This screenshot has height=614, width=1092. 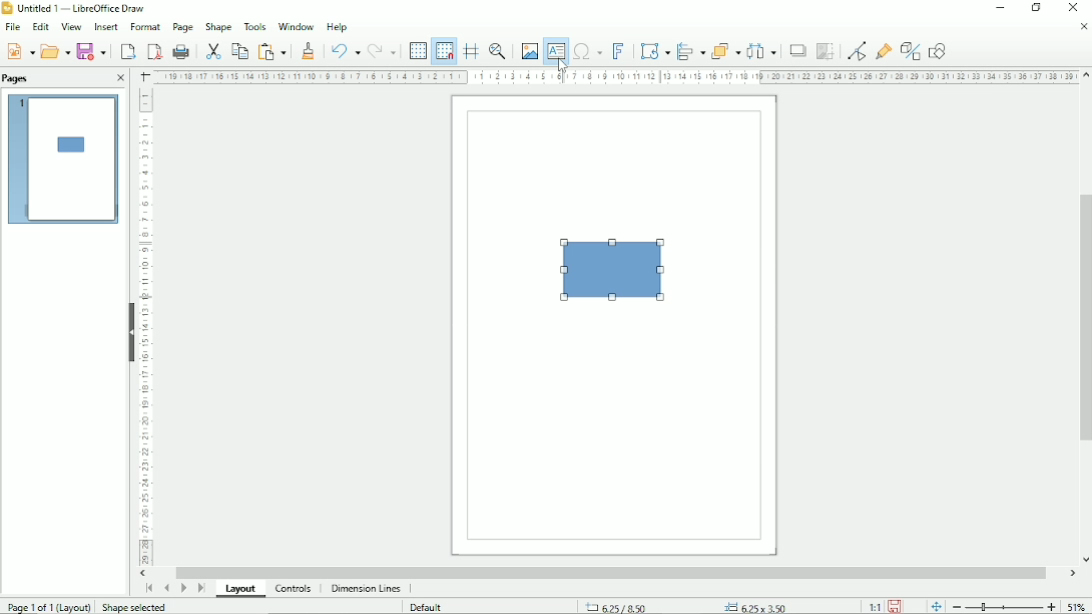 I want to click on Export directly as PDF, so click(x=154, y=51).